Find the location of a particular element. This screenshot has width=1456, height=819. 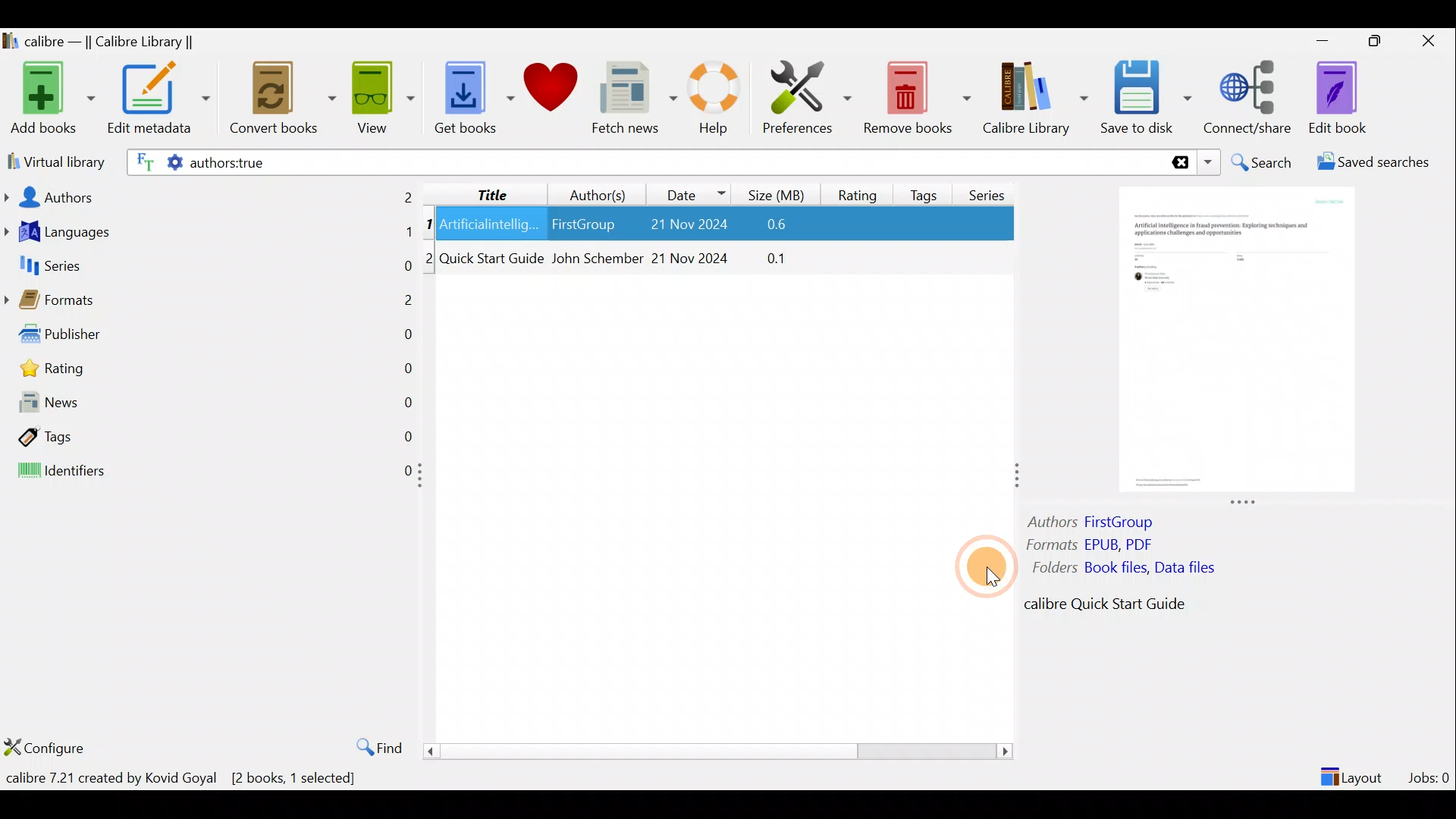

Saved searches is located at coordinates (1378, 164).